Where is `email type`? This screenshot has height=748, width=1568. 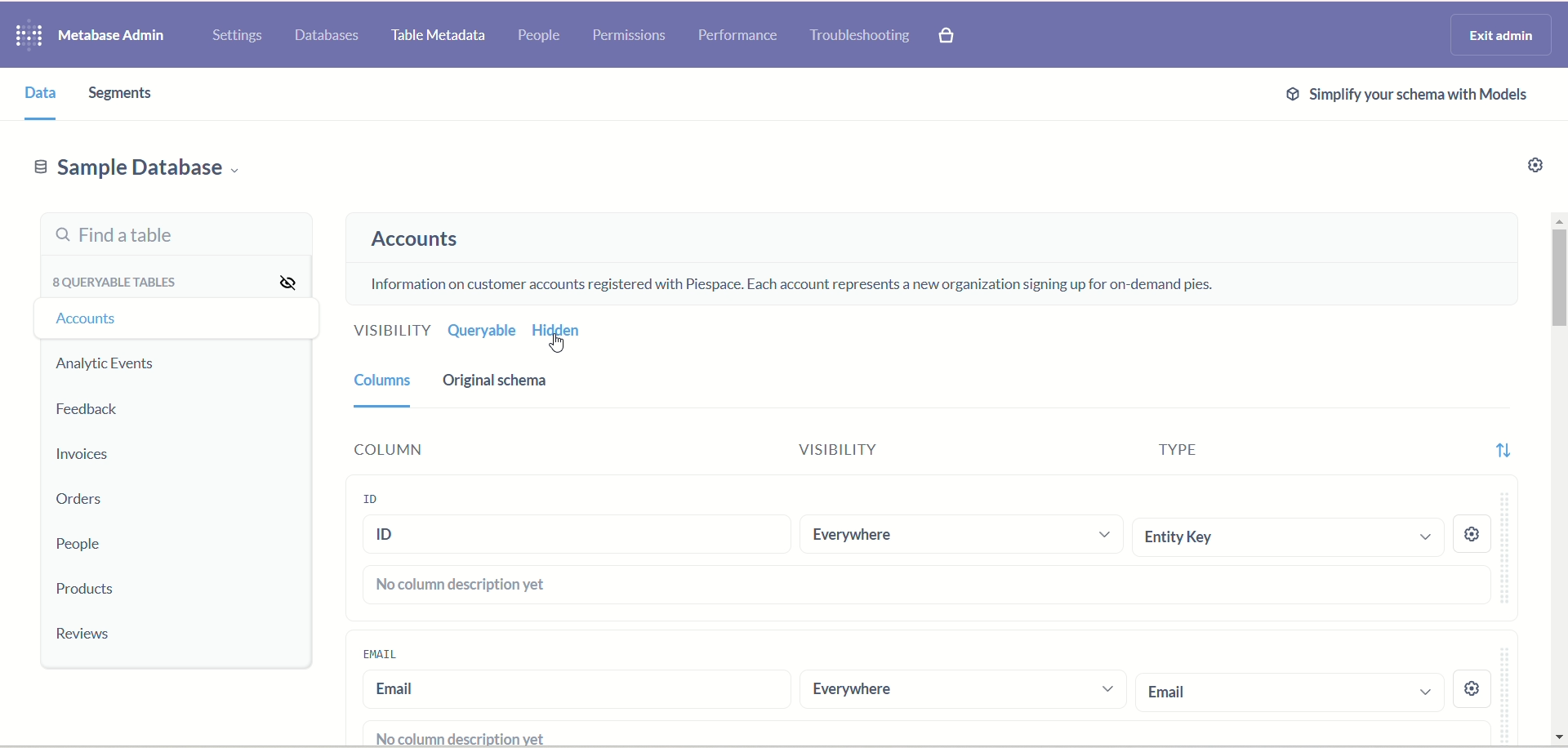
email type is located at coordinates (1290, 691).